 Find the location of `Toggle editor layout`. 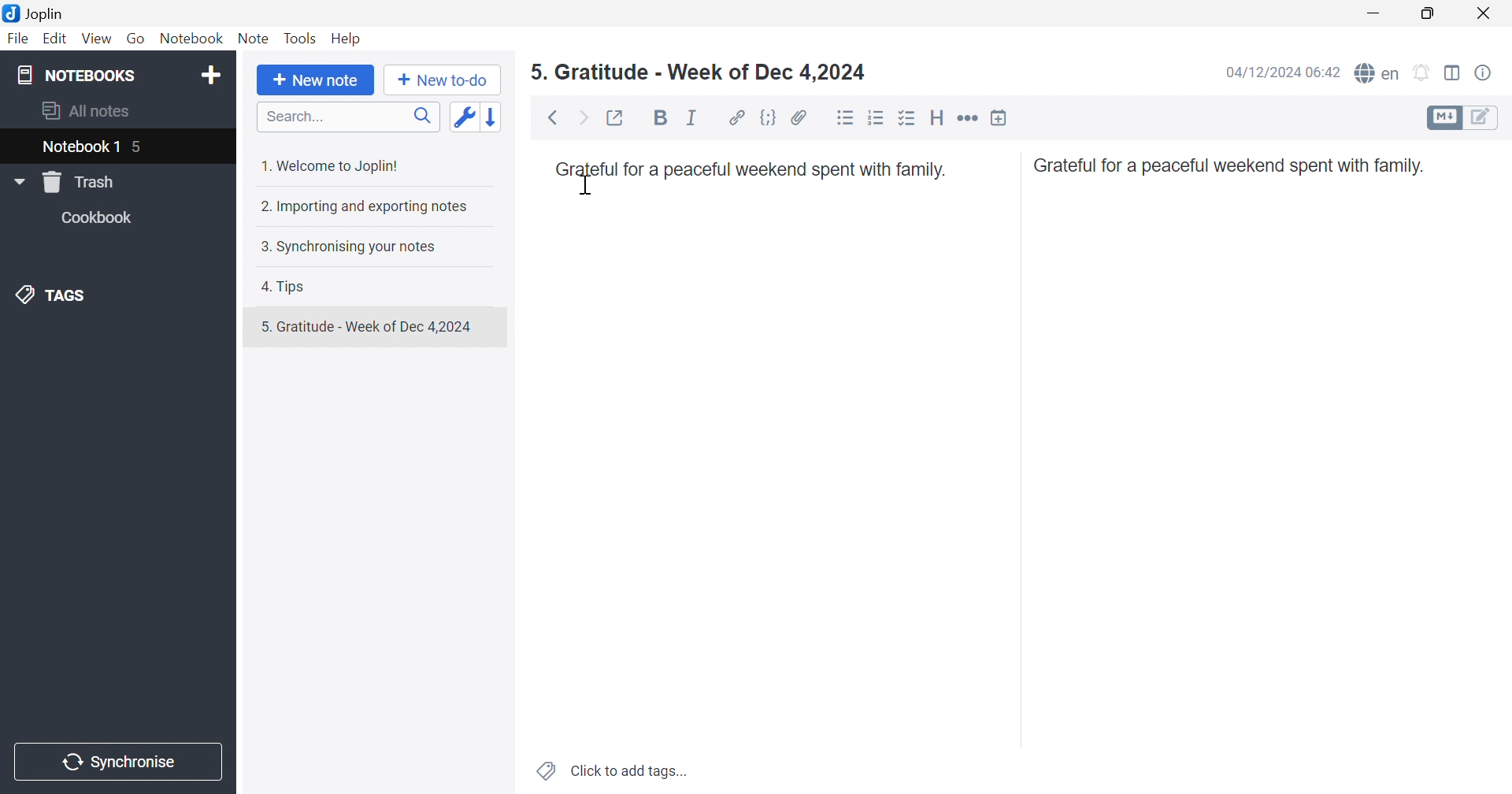

Toggle editor layout is located at coordinates (1453, 73).